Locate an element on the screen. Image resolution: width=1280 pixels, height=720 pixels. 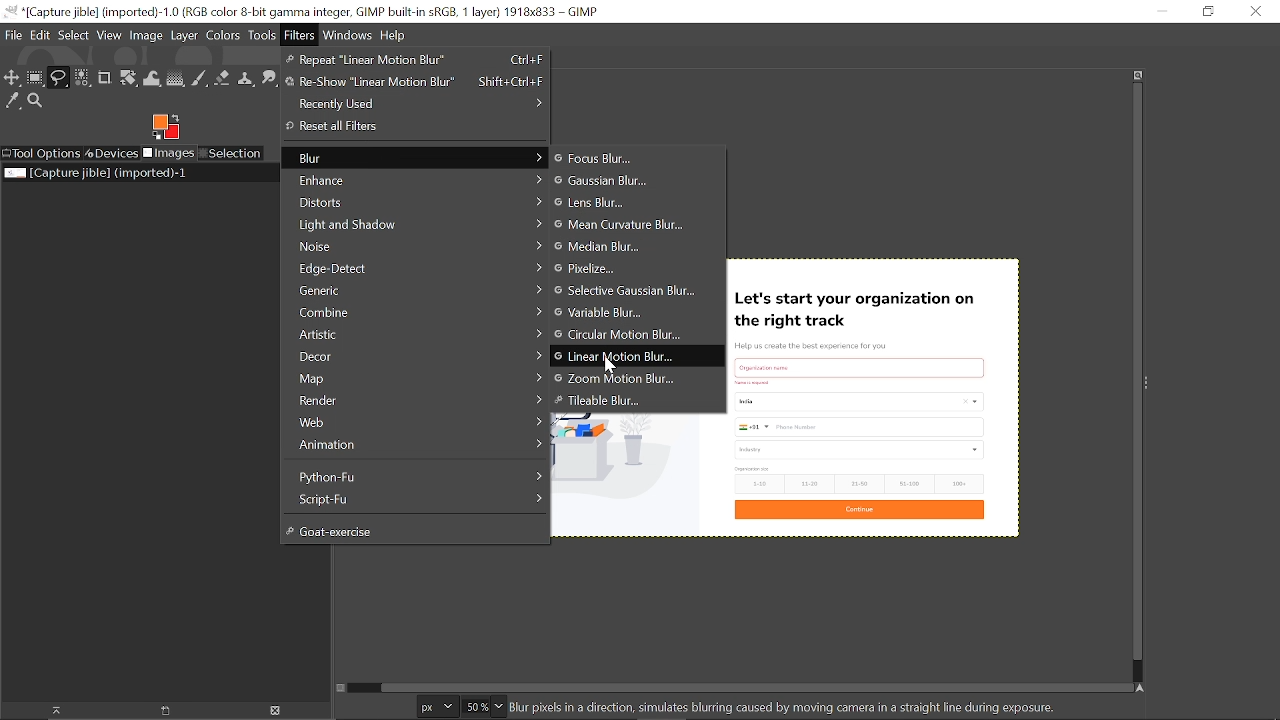
Delete is located at coordinates (274, 711).